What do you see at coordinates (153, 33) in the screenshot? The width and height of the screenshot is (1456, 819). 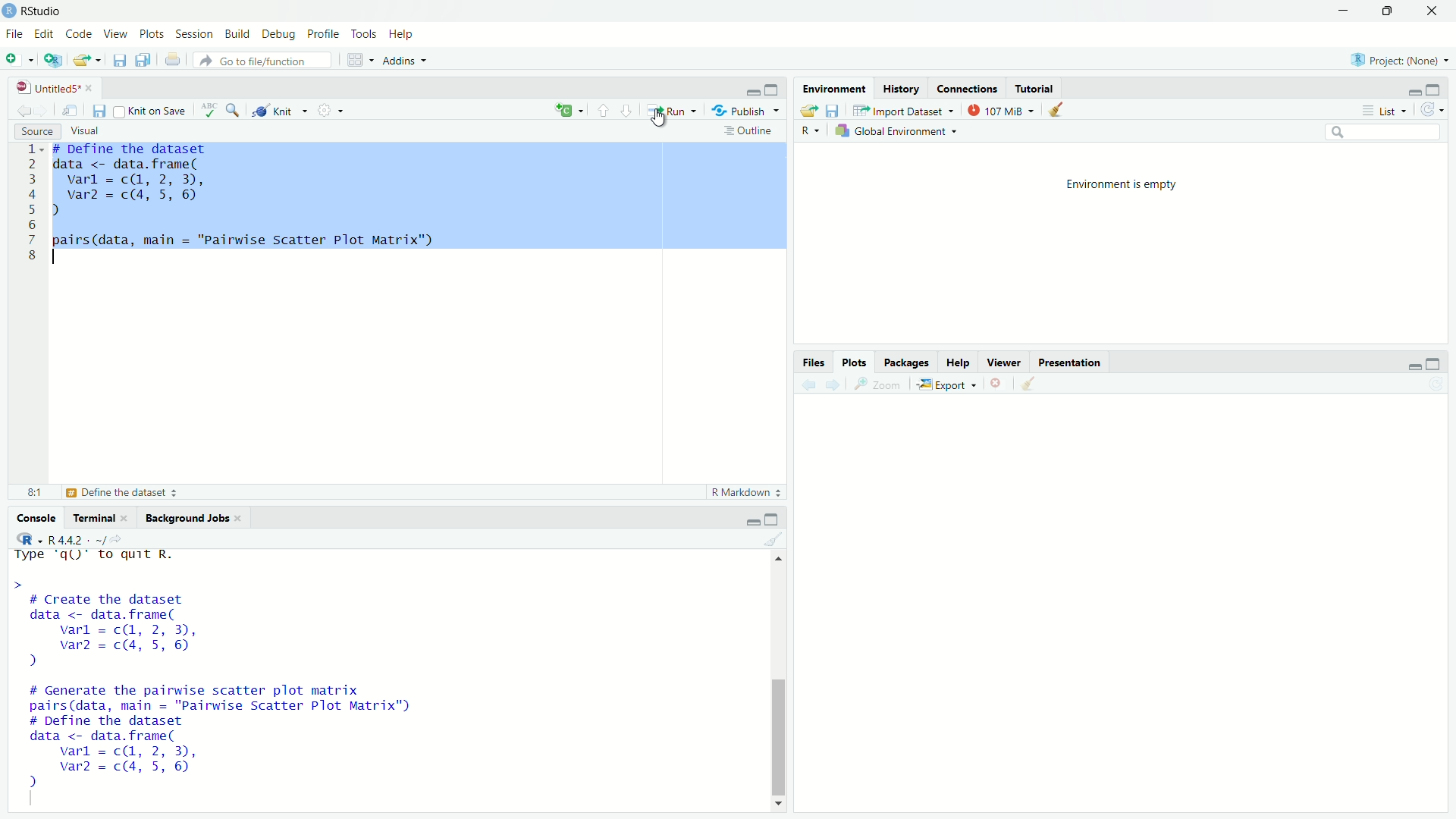 I see `Plots` at bounding box center [153, 33].